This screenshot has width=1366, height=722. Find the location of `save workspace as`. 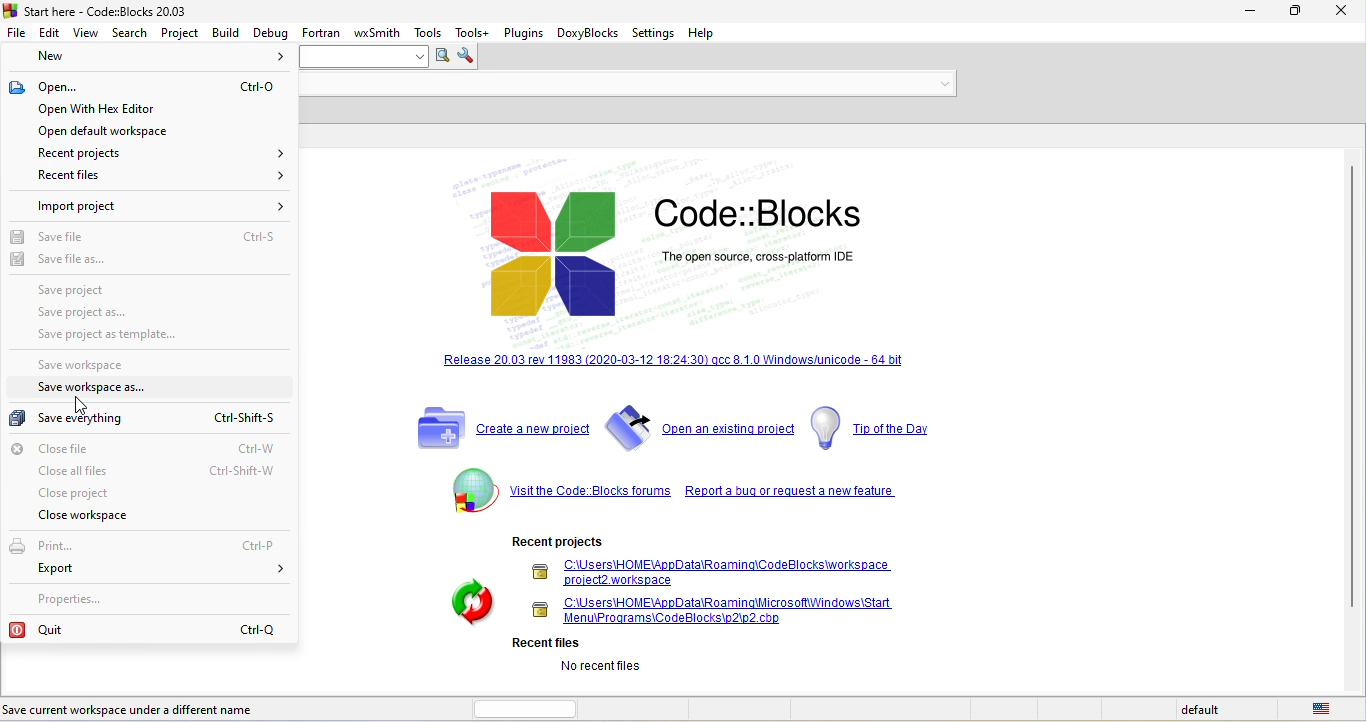

save workspace as is located at coordinates (106, 389).